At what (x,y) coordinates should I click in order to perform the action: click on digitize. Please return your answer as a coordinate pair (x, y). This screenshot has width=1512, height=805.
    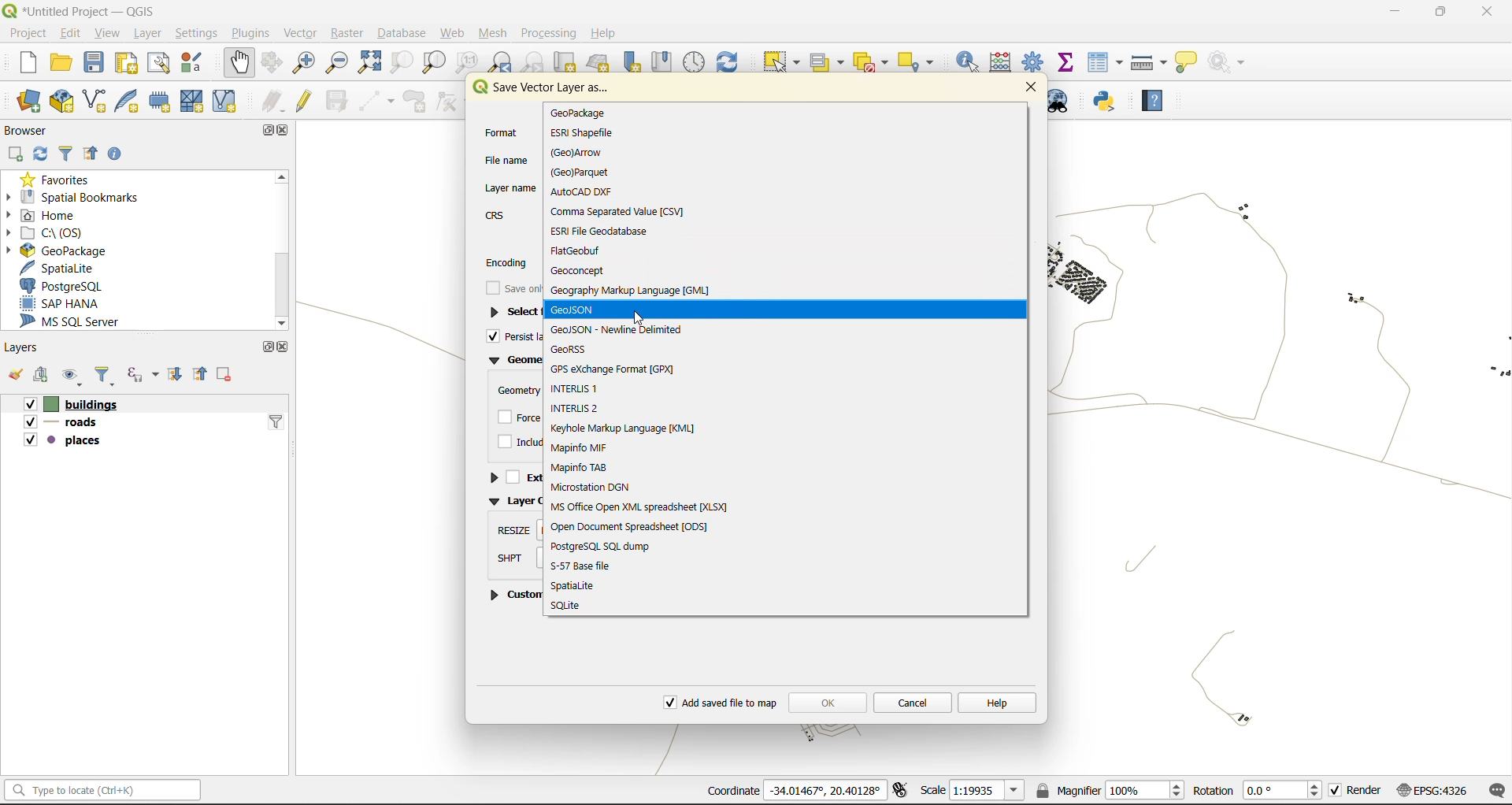
    Looking at the image, I should click on (377, 101).